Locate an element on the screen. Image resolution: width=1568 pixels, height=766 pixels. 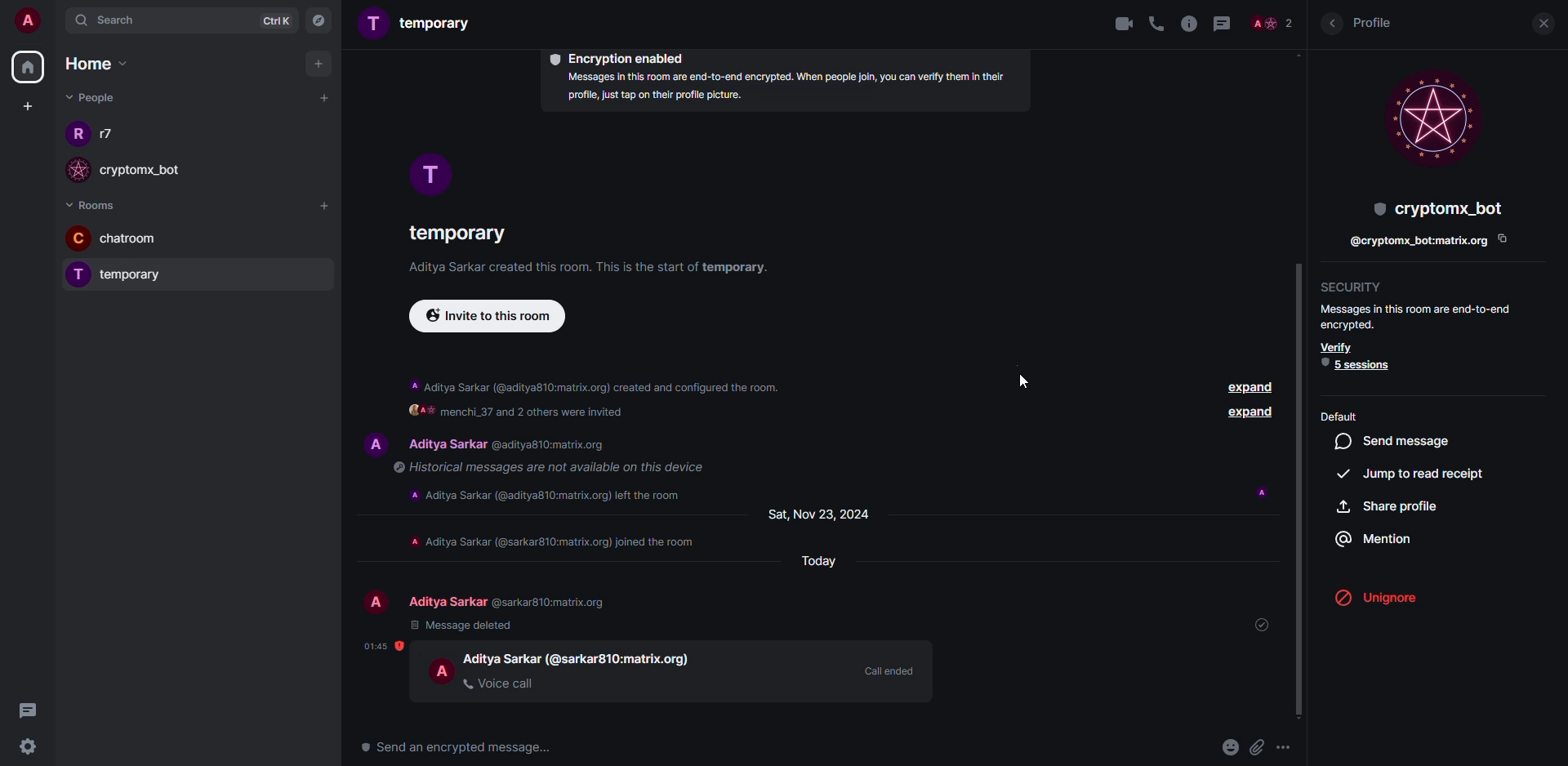
profile image is located at coordinates (81, 170).